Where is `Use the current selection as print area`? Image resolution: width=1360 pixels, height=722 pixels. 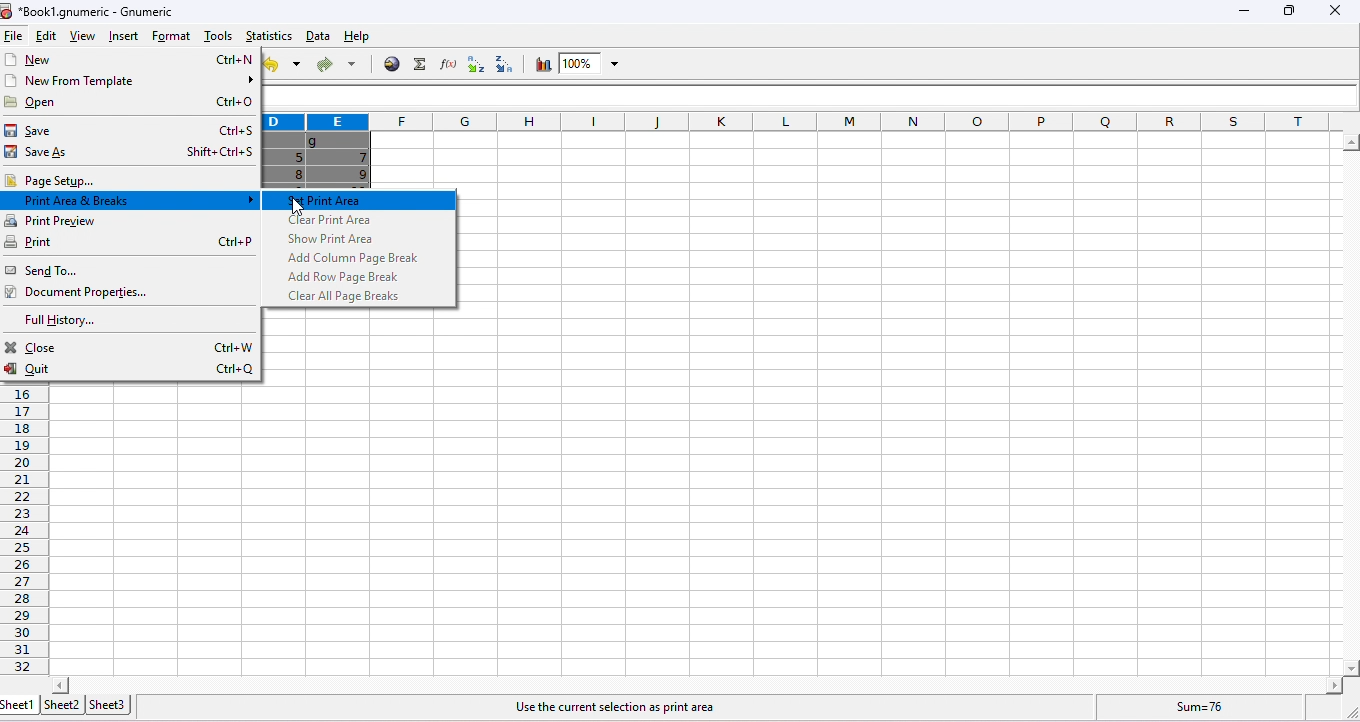
Use the current selection as print area is located at coordinates (611, 708).